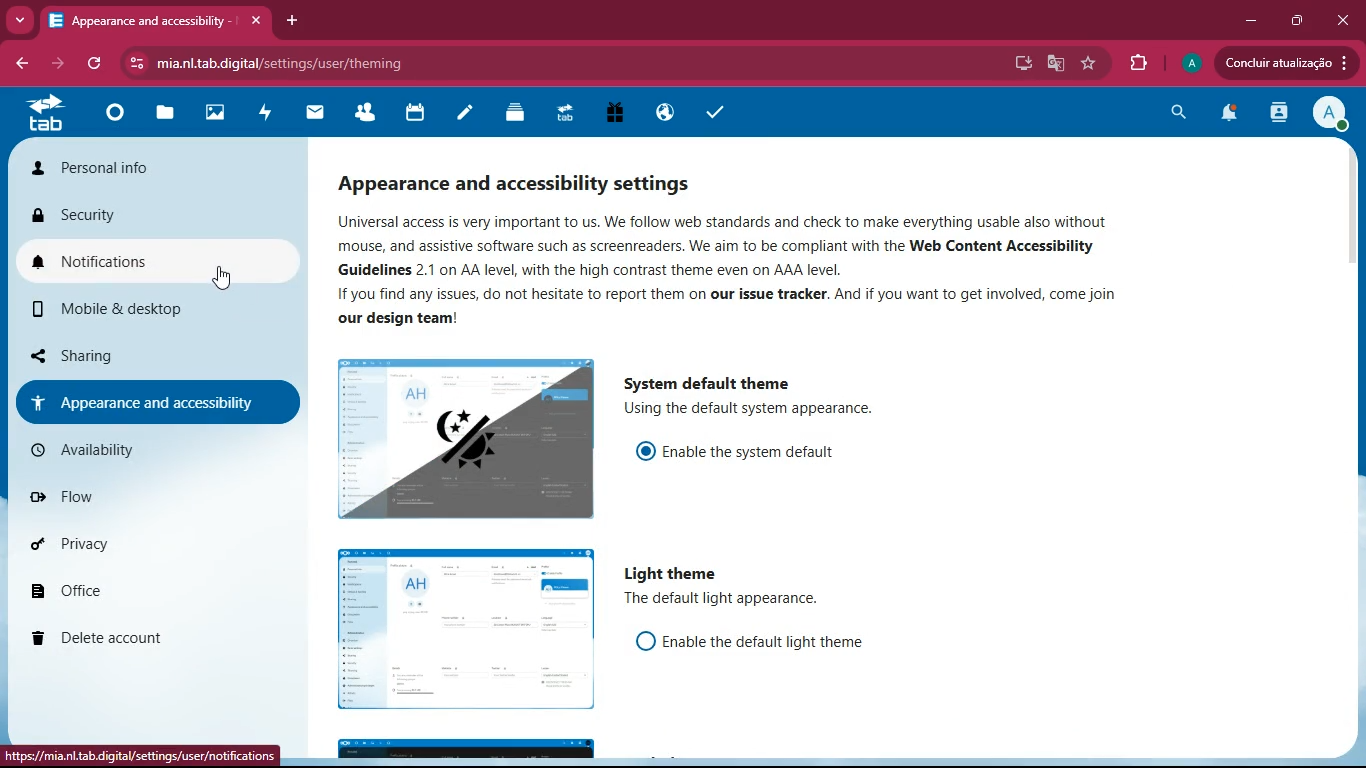  Describe the element at coordinates (160, 258) in the screenshot. I see `notifications` at that location.